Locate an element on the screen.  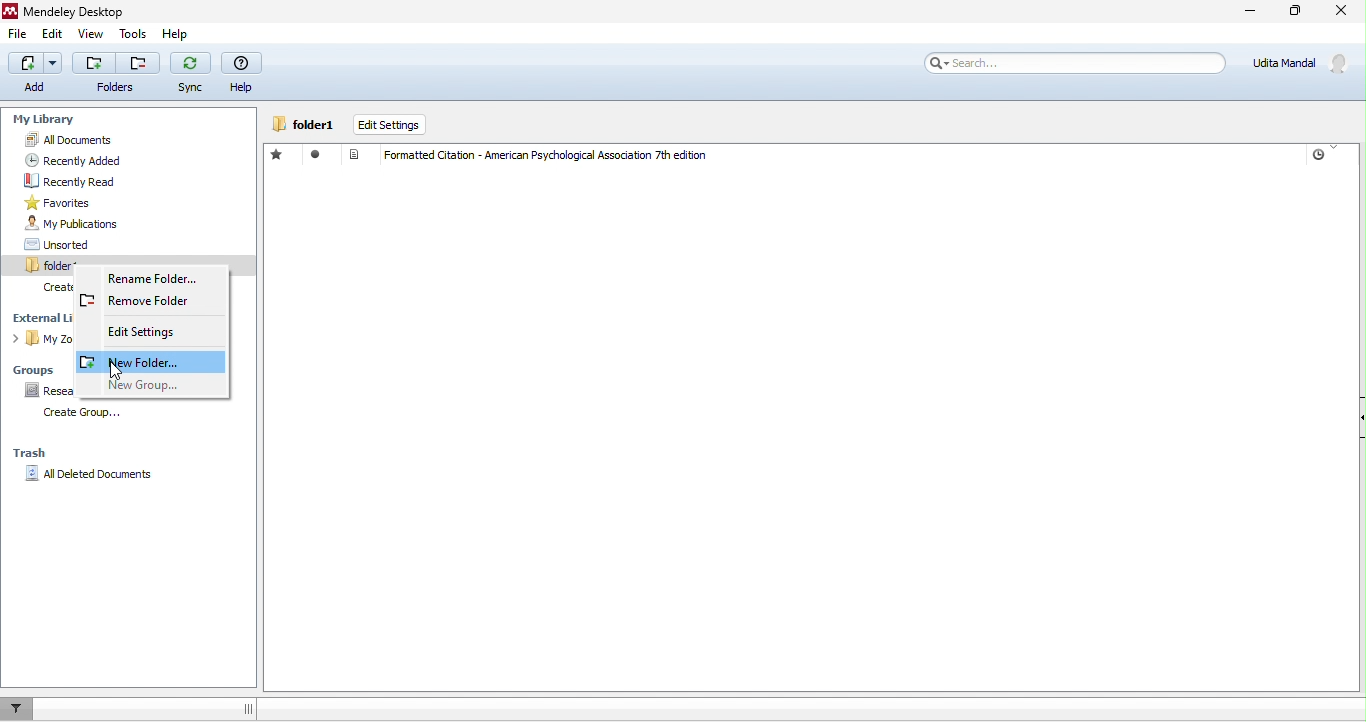
minimize is located at coordinates (1250, 10).